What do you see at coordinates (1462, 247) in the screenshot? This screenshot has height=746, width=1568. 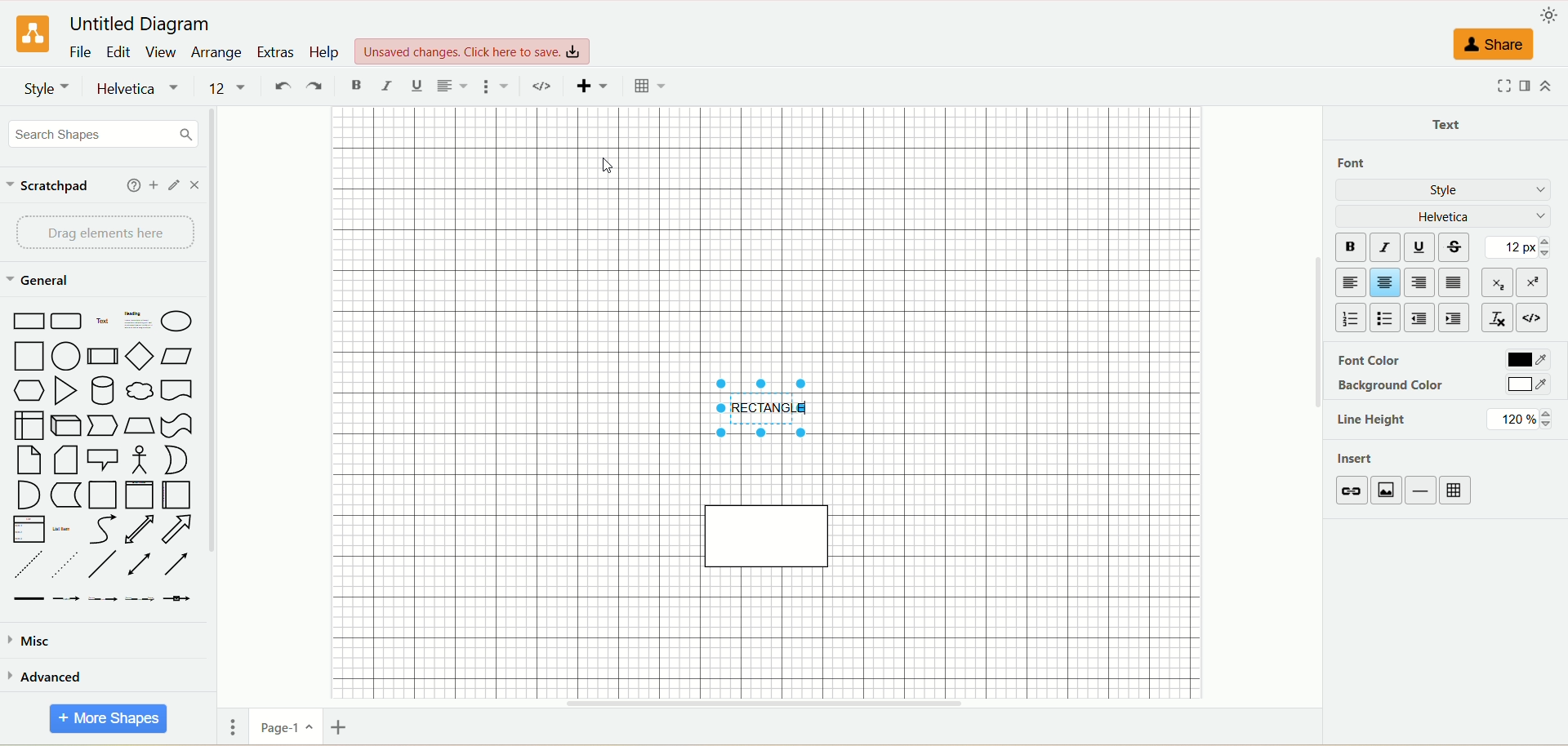 I see `strikethrough` at bounding box center [1462, 247].